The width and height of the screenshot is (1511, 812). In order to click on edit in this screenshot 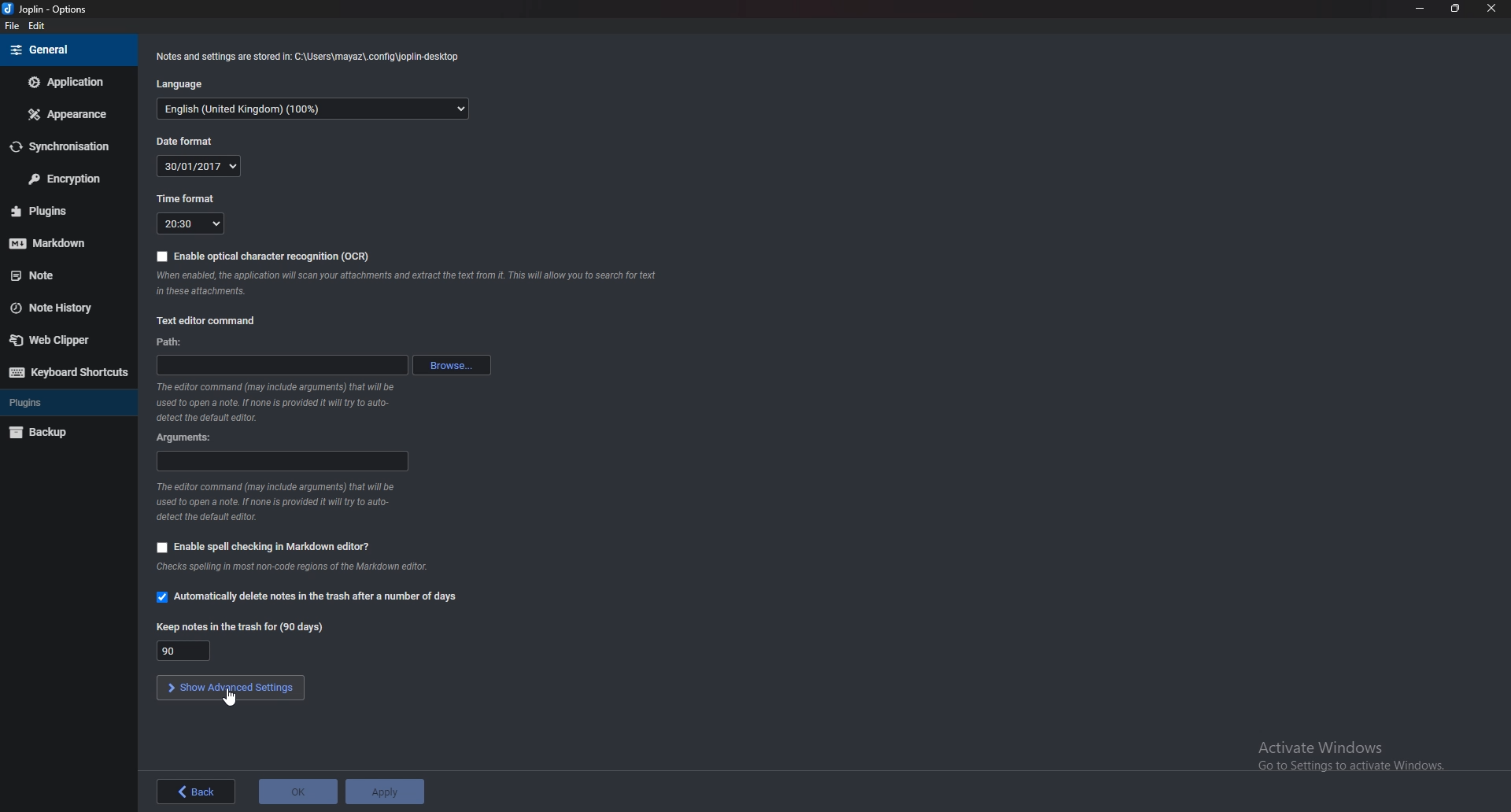, I will do `click(39, 26)`.